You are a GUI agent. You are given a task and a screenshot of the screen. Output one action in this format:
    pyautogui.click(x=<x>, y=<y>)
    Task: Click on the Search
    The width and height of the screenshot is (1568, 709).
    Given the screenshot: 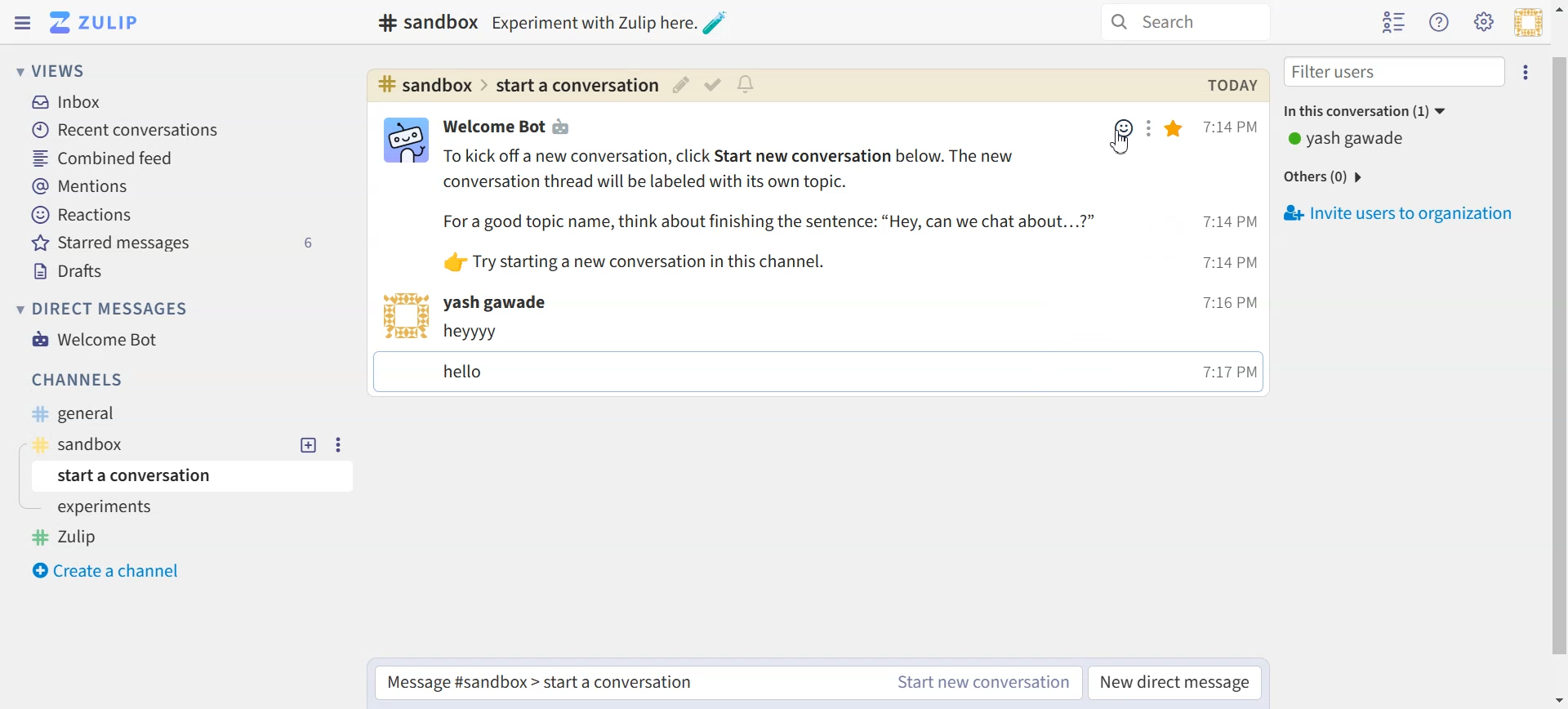 What is the action you would take?
    pyautogui.click(x=1186, y=22)
    